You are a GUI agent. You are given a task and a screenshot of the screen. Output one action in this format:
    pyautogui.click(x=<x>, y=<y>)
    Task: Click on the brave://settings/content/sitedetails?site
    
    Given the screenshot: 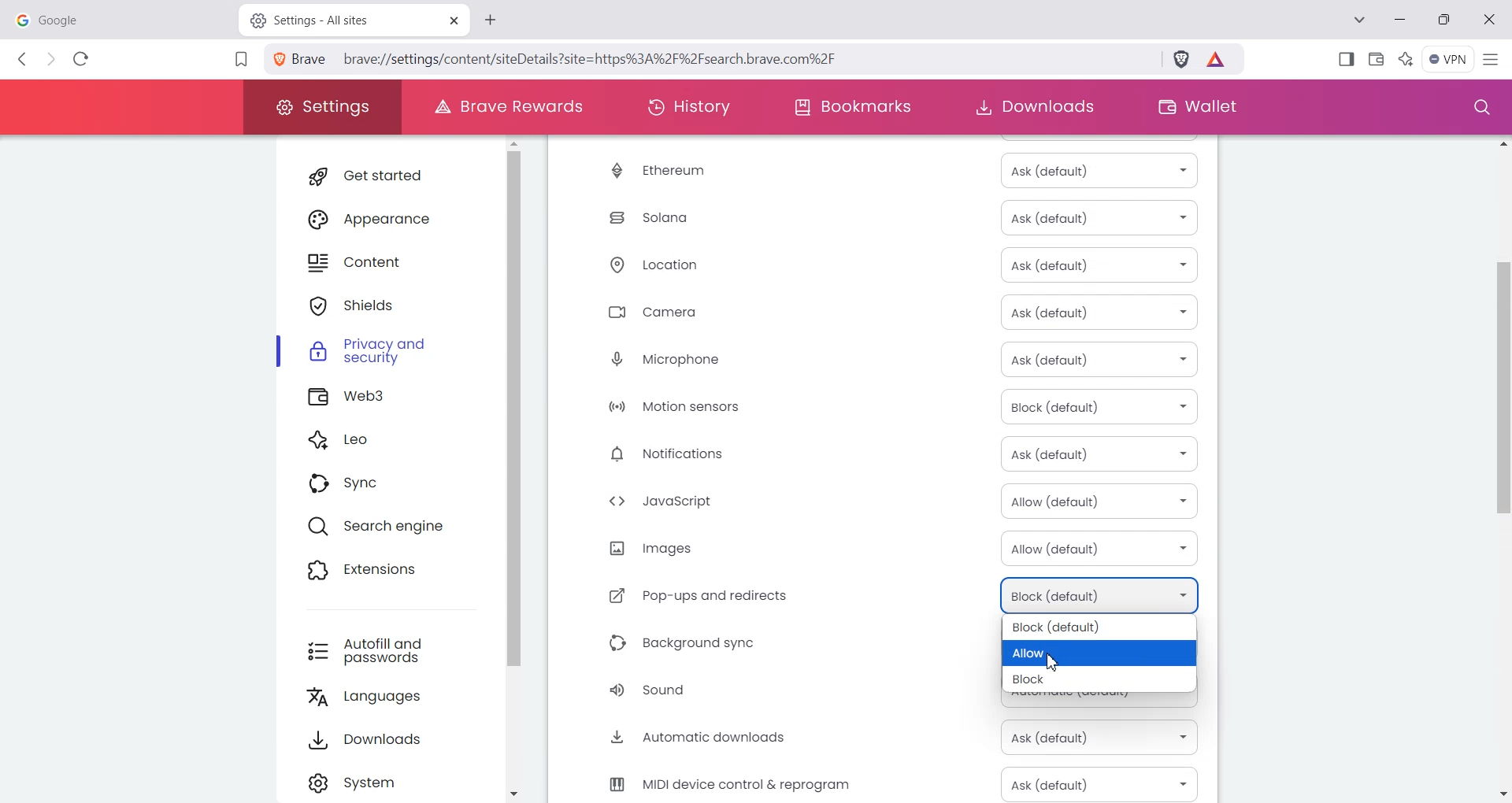 What is the action you would take?
    pyautogui.click(x=602, y=57)
    